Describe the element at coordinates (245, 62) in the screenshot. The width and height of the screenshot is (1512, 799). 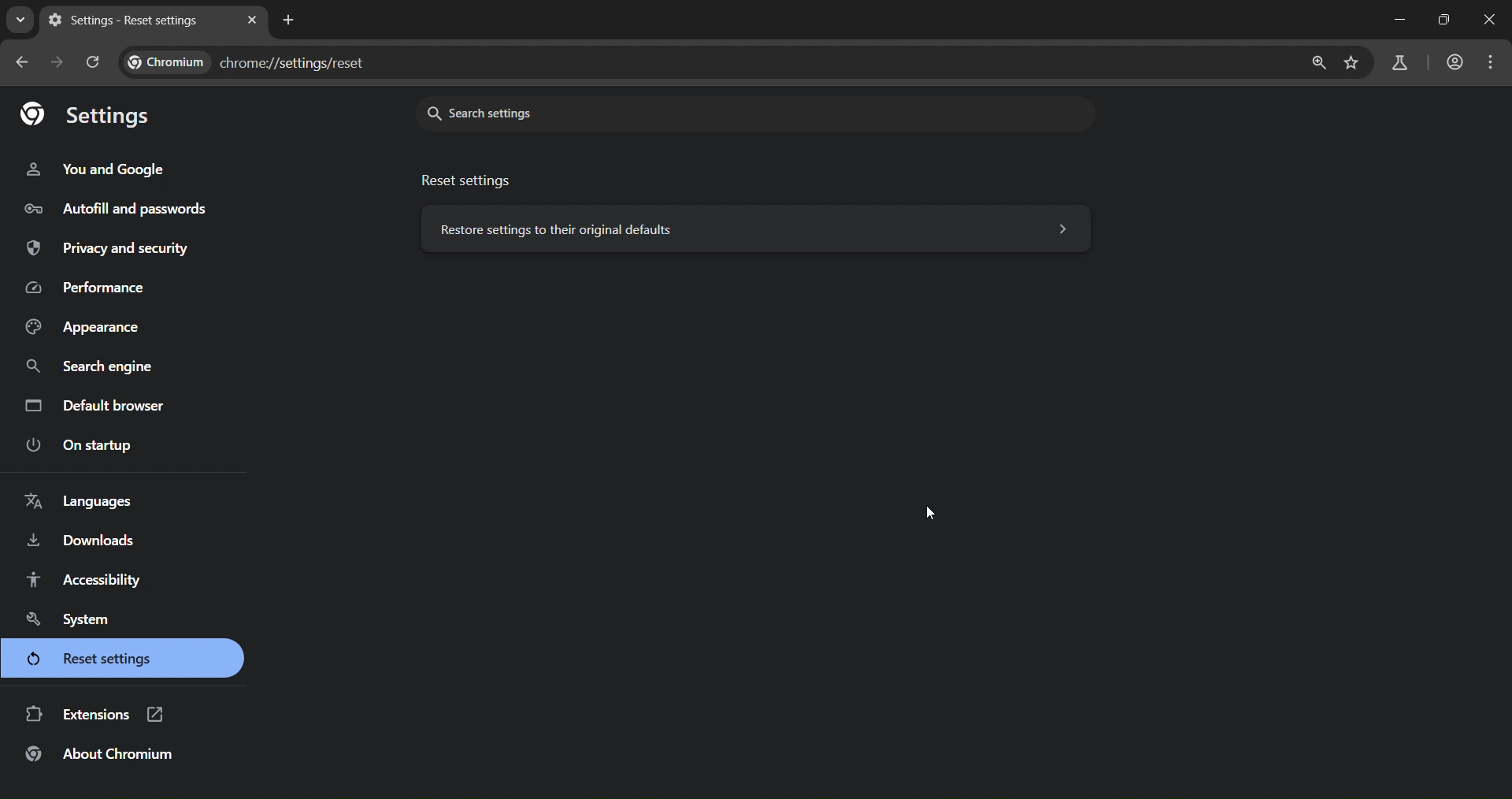
I see `text` at that location.